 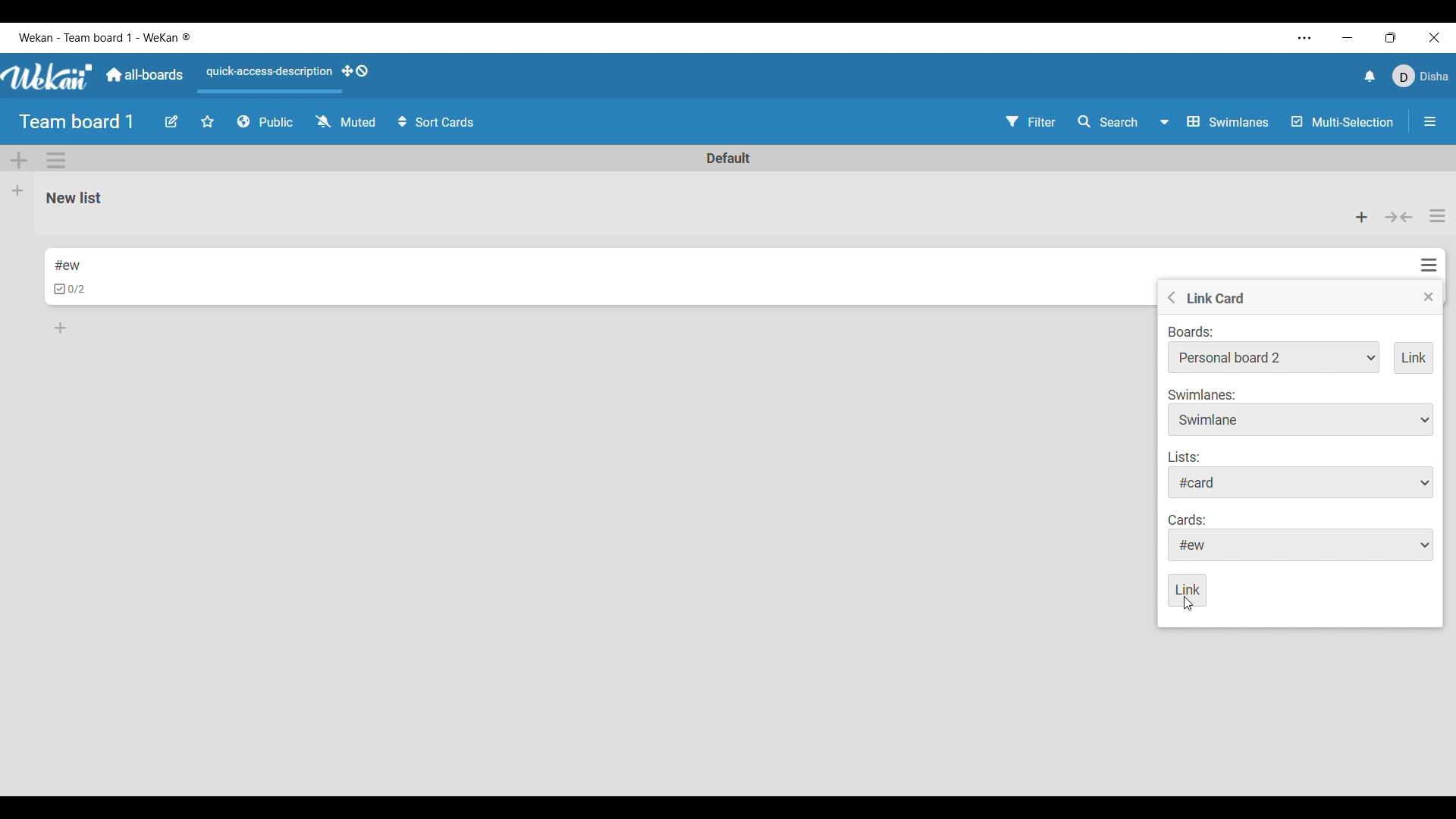 I want to click on List options, so click(x=1301, y=482).